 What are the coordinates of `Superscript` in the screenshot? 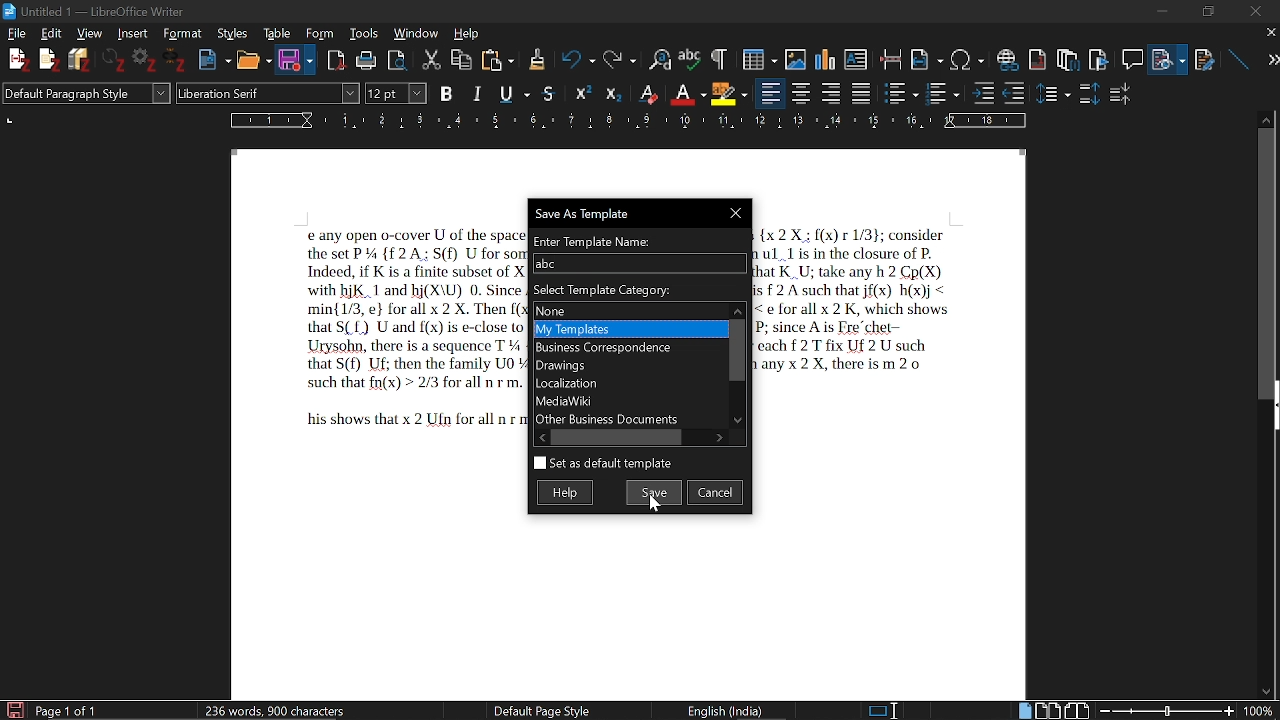 It's located at (647, 93).